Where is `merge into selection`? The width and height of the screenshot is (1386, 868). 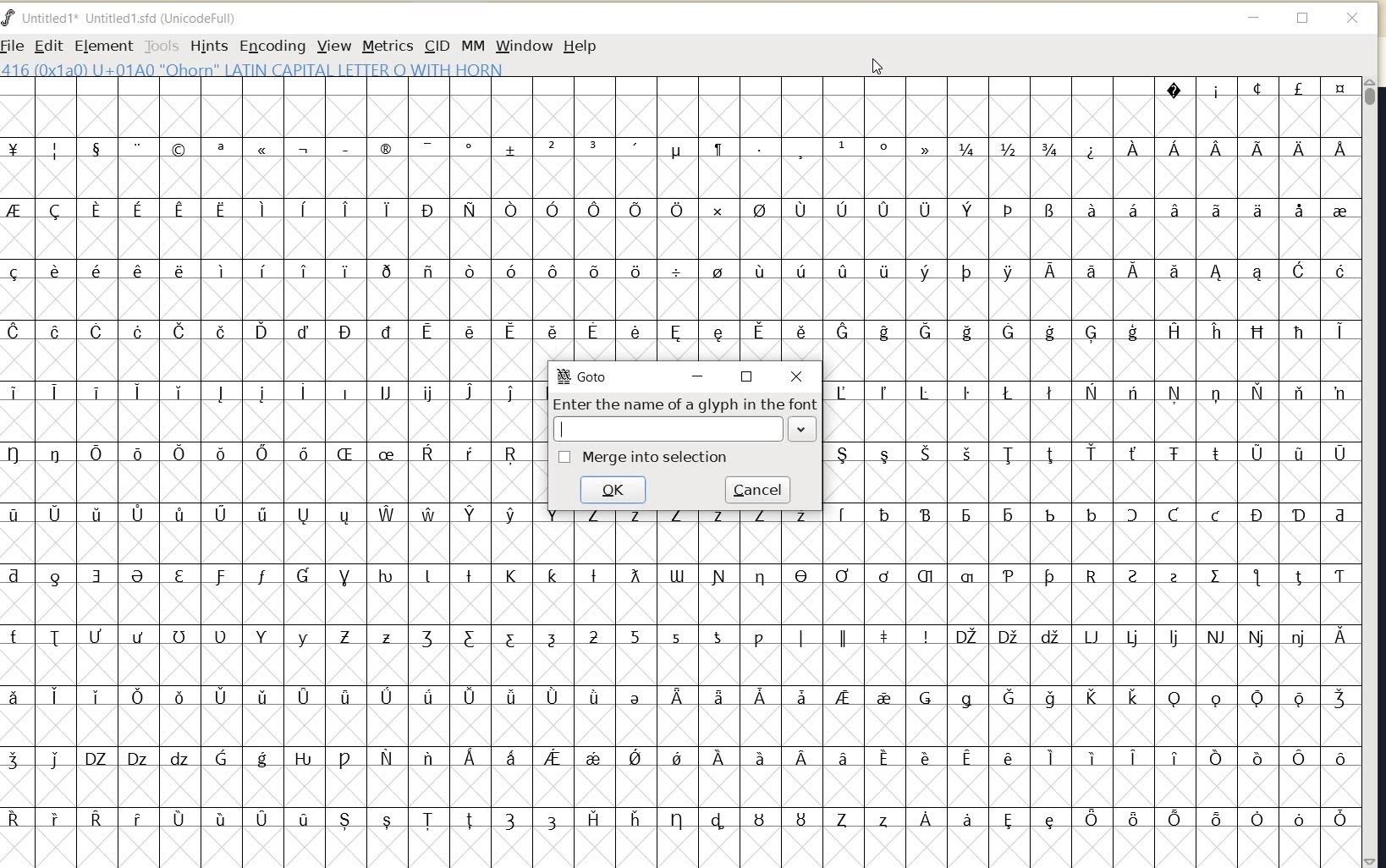 merge into selection is located at coordinates (646, 456).